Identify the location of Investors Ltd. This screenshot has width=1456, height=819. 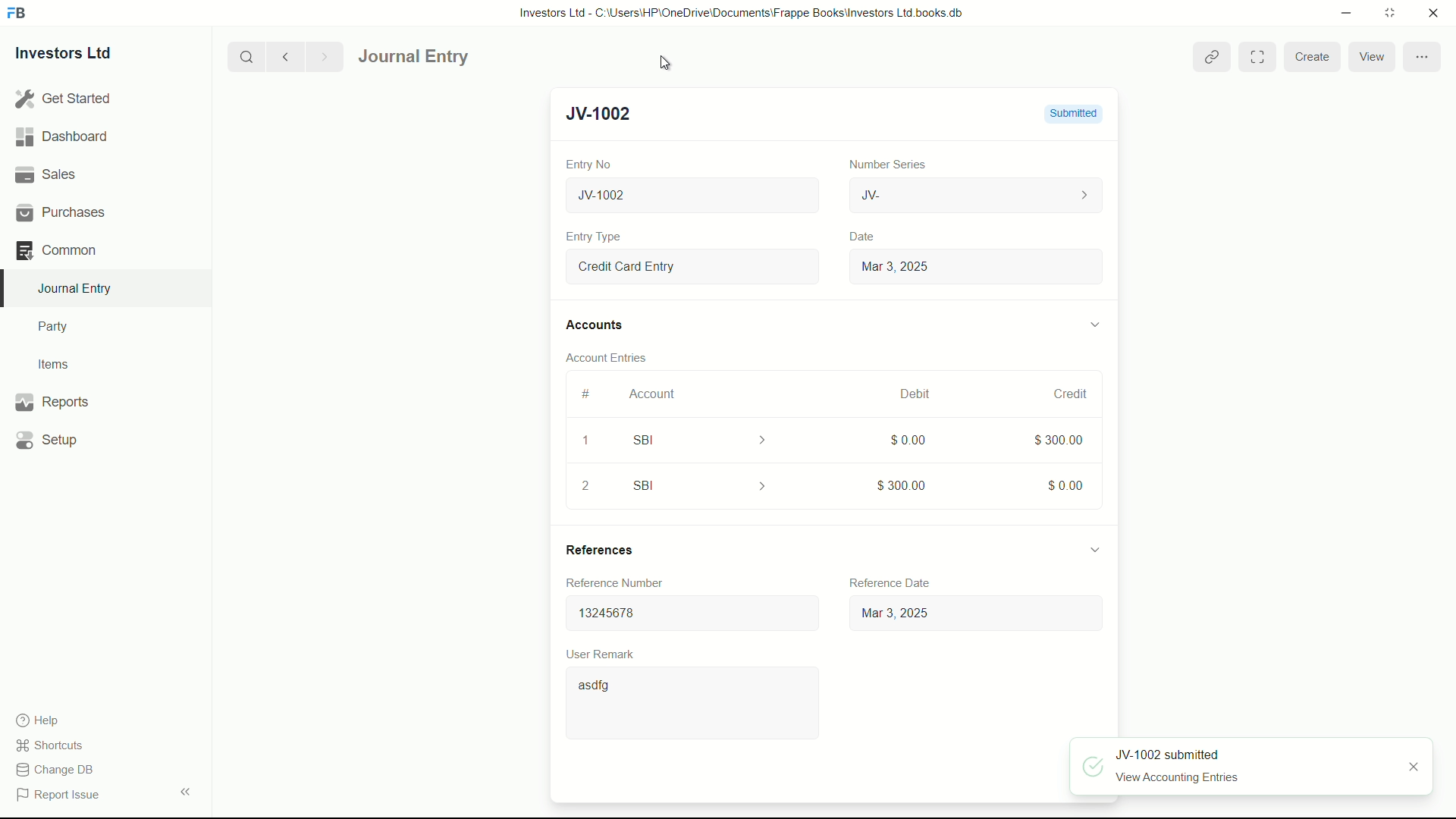
(77, 55).